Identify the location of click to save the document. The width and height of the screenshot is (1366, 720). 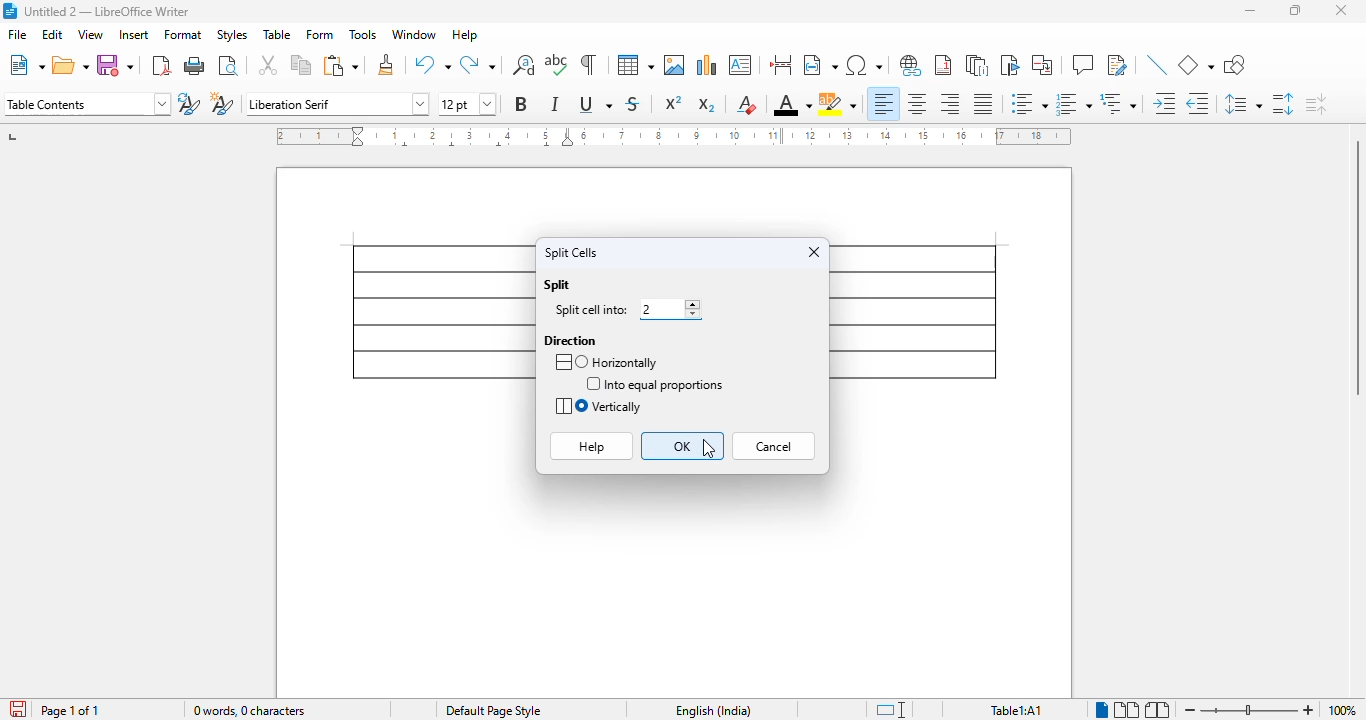
(18, 709).